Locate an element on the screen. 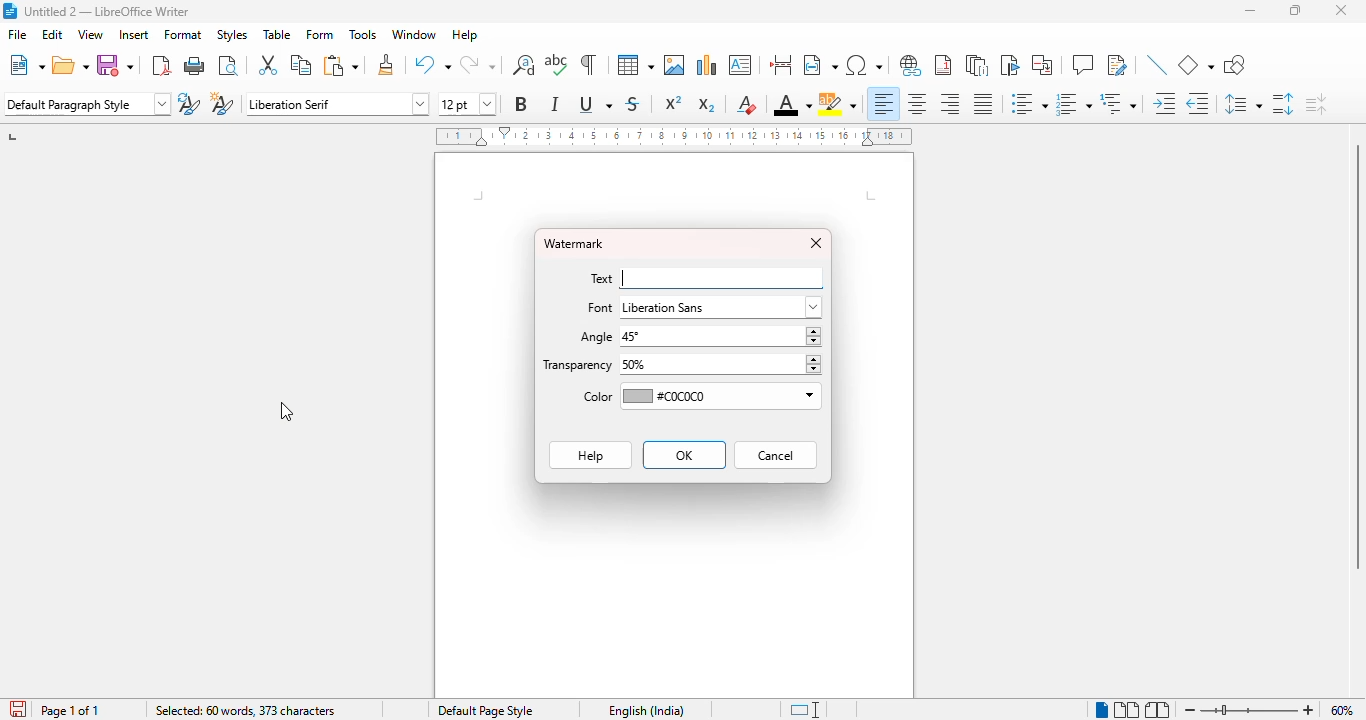 This screenshot has width=1366, height=720. align center is located at coordinates (917, 103).